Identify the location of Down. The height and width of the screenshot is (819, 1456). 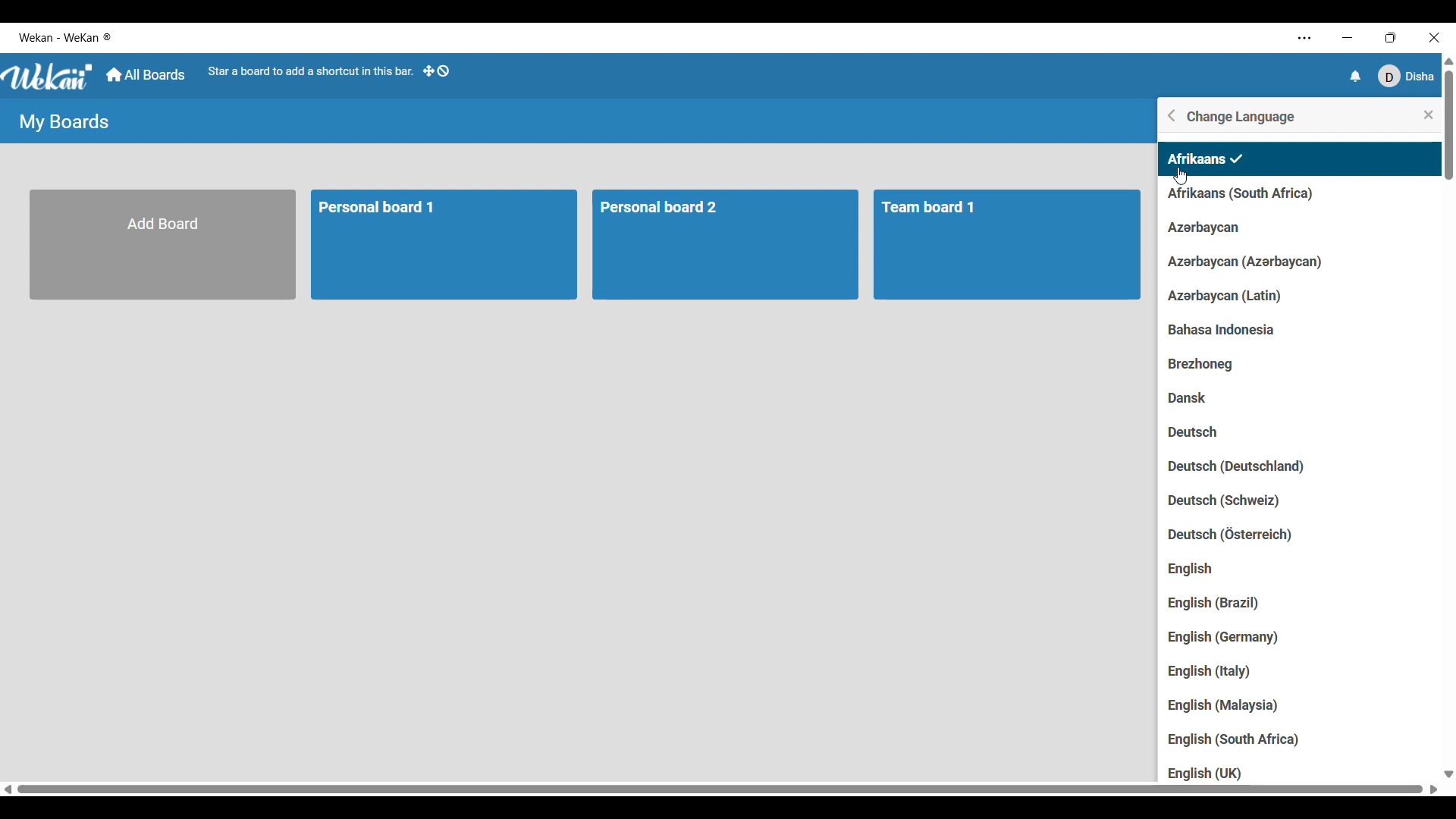
(1447, 773).